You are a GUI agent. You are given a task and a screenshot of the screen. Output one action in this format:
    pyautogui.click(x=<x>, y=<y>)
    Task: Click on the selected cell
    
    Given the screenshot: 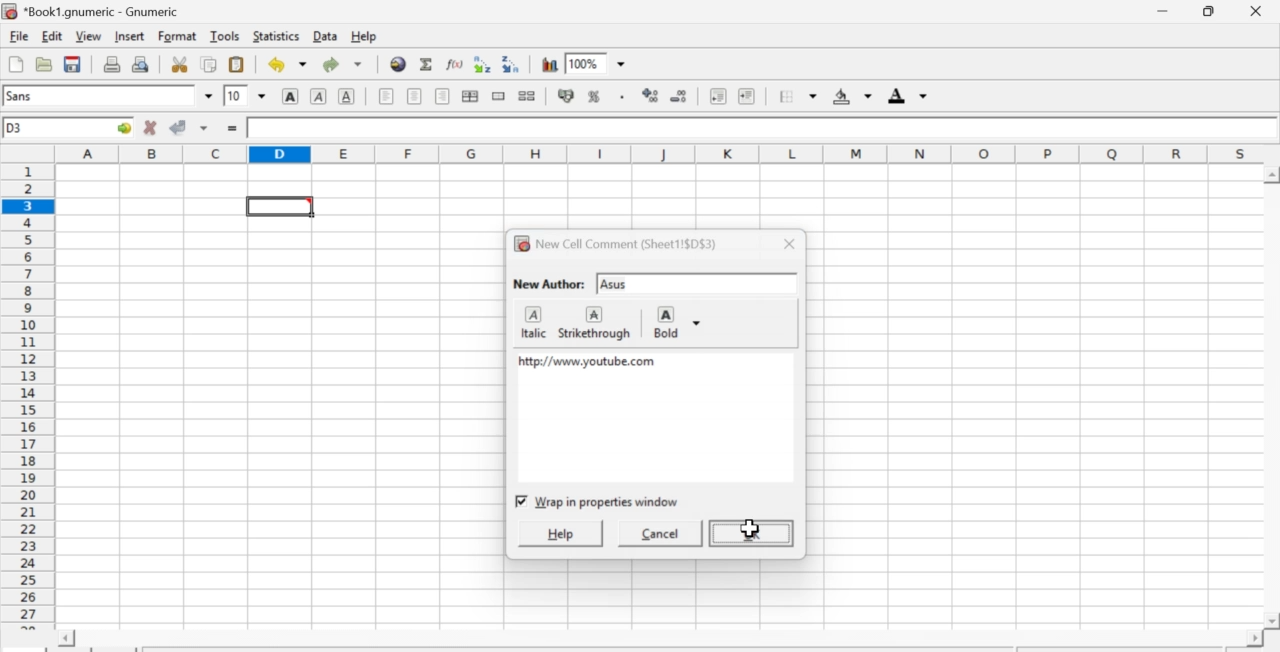 What is the action you would take?
    pyautogui.click(x=279, y=205)
    